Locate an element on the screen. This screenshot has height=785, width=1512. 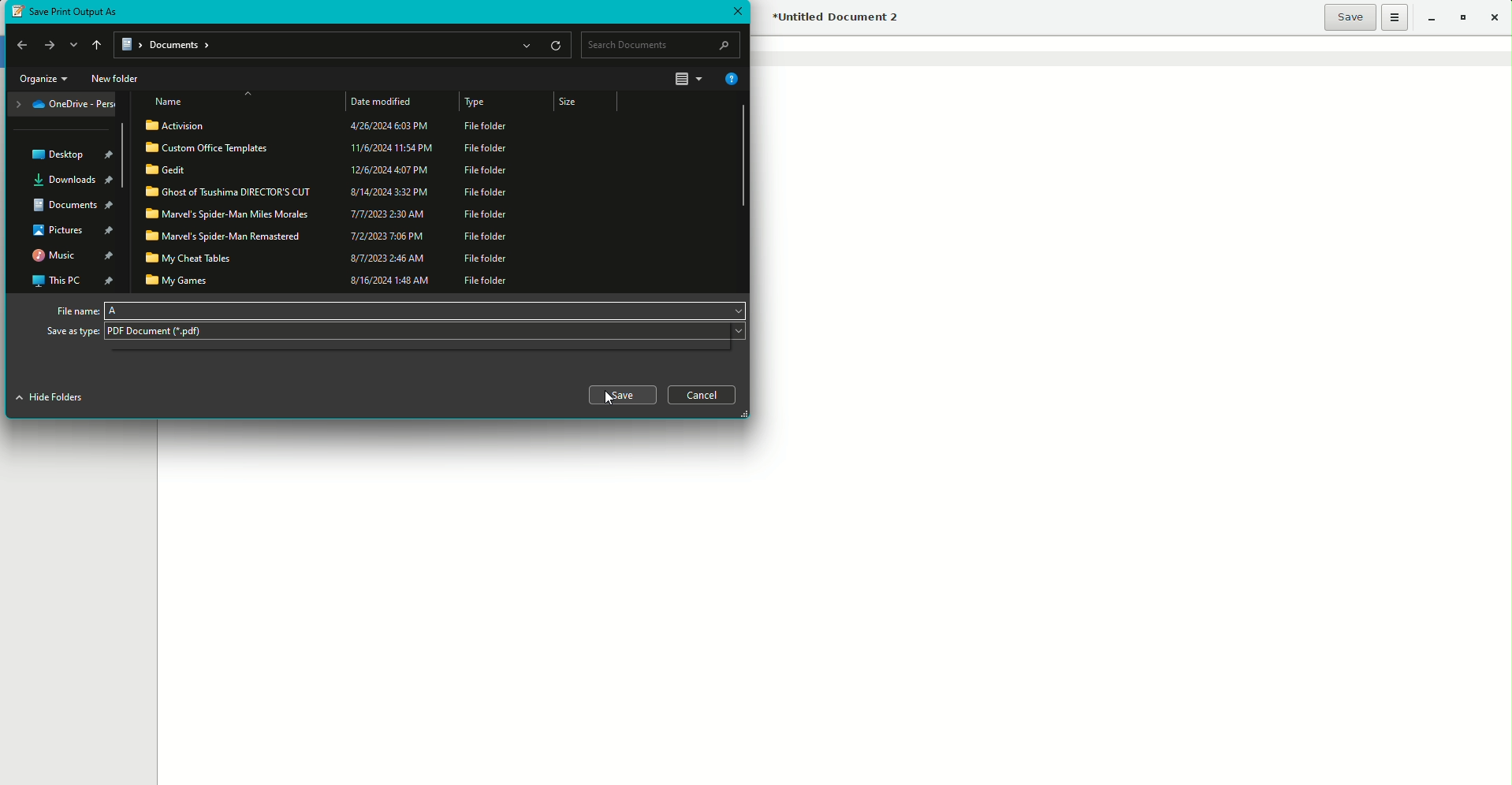
Custom Templates is located at coordinates (330, 147).